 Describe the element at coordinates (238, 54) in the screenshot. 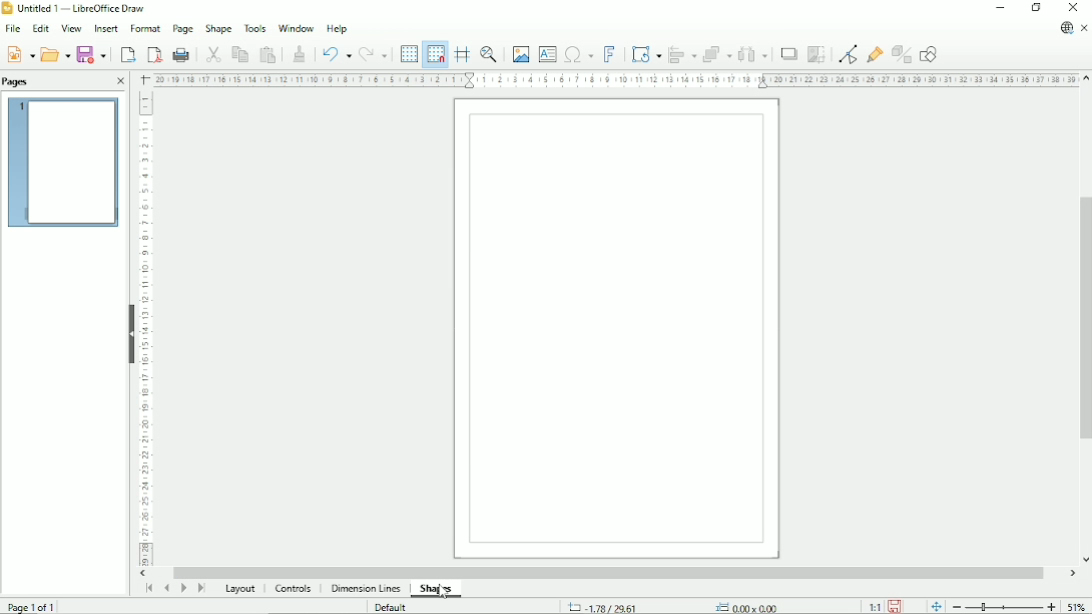

I see `Copy` at that location.